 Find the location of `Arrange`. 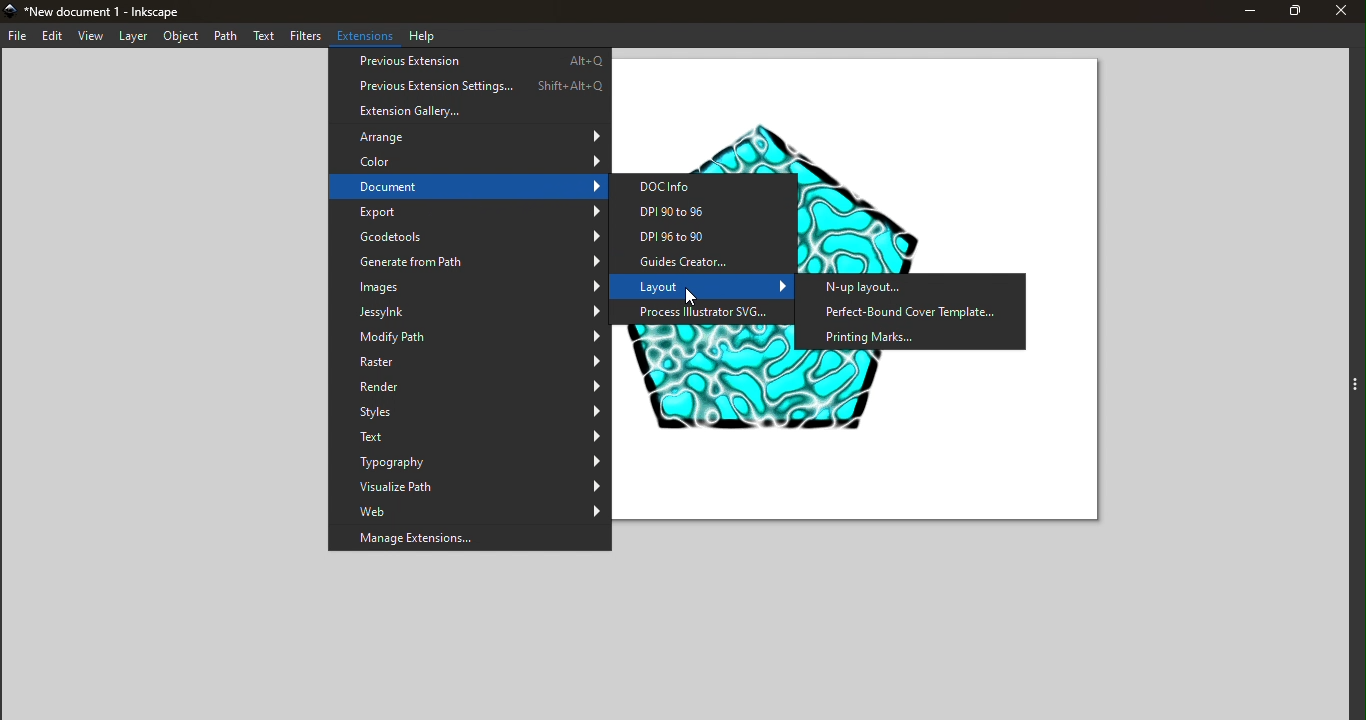

Arrange is located at coordinates (468, 137).